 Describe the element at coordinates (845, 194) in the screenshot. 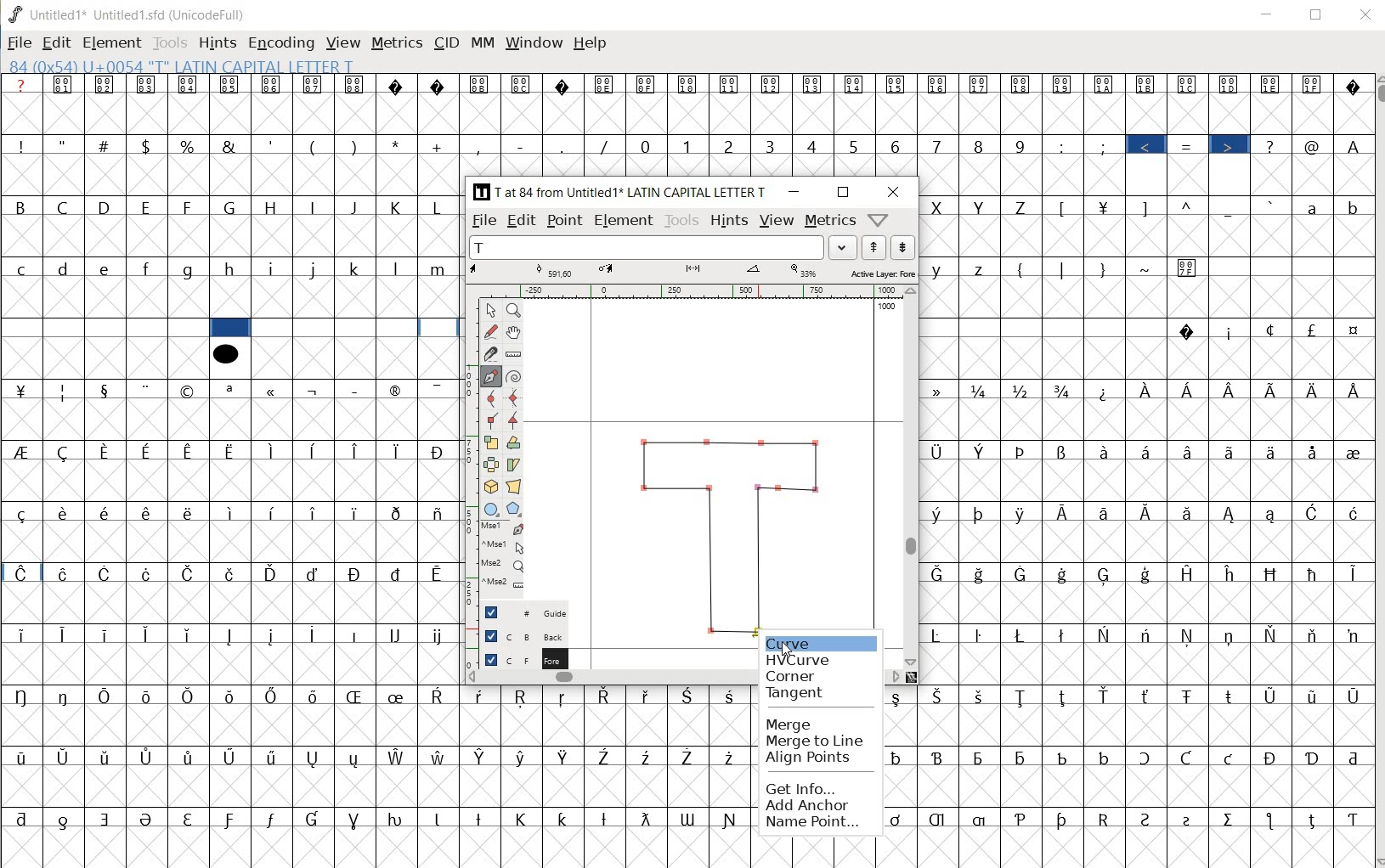

I see `maximize` at that location.